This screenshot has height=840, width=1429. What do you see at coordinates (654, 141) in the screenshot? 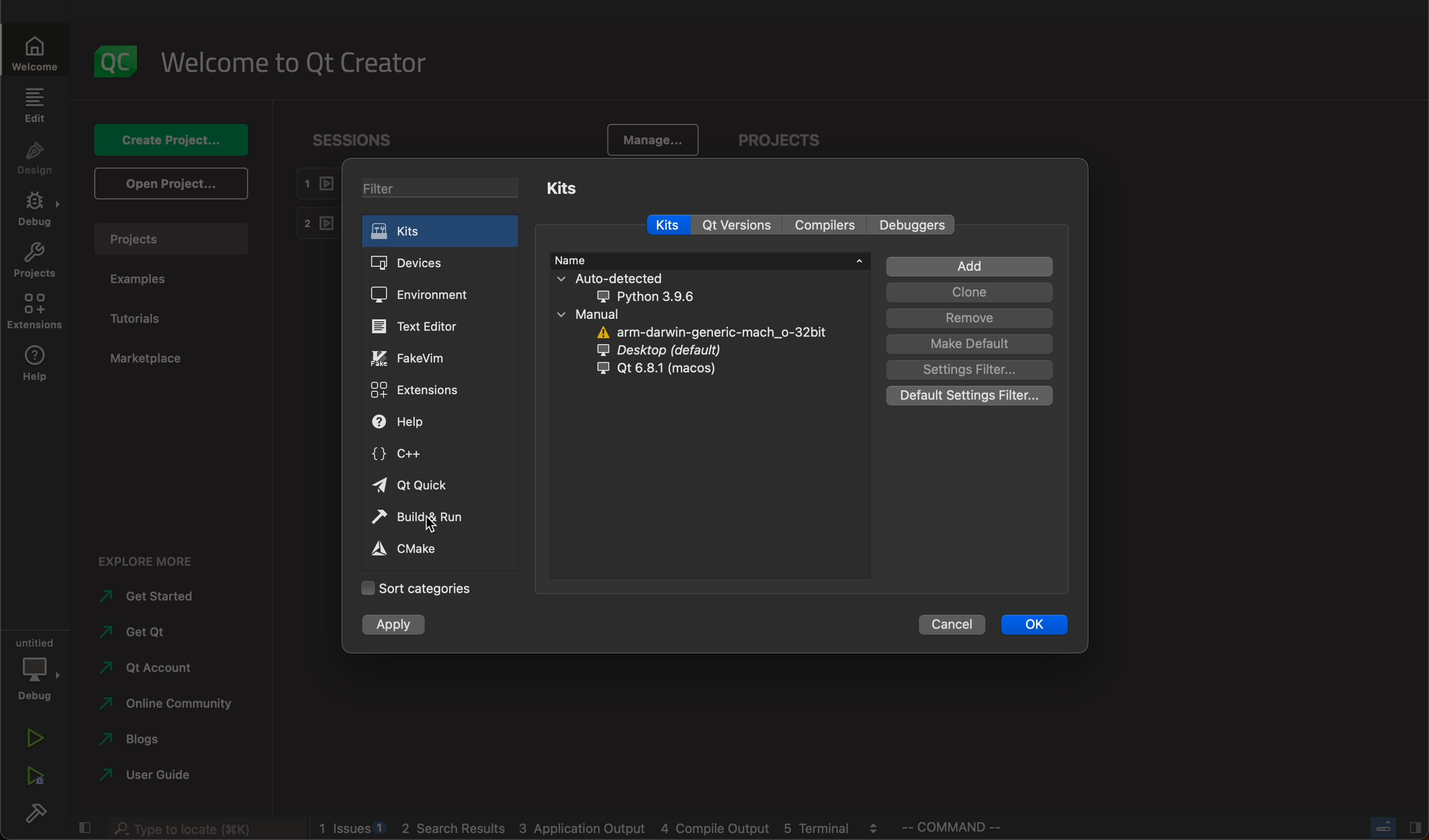
I see `manage` at bounding box center [654, 141].